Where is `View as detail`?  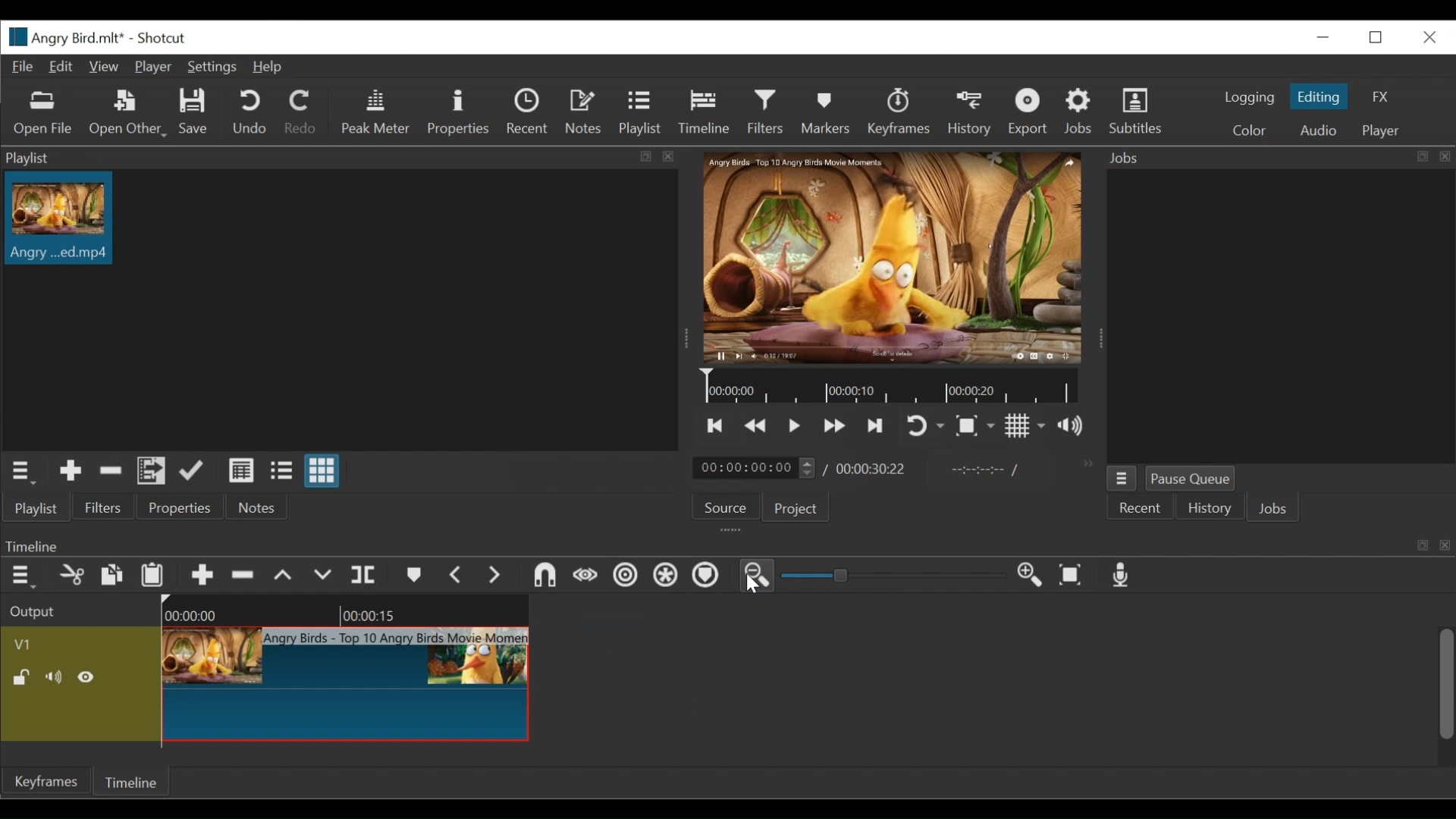 View as detail is located at coordinates (240, 471).